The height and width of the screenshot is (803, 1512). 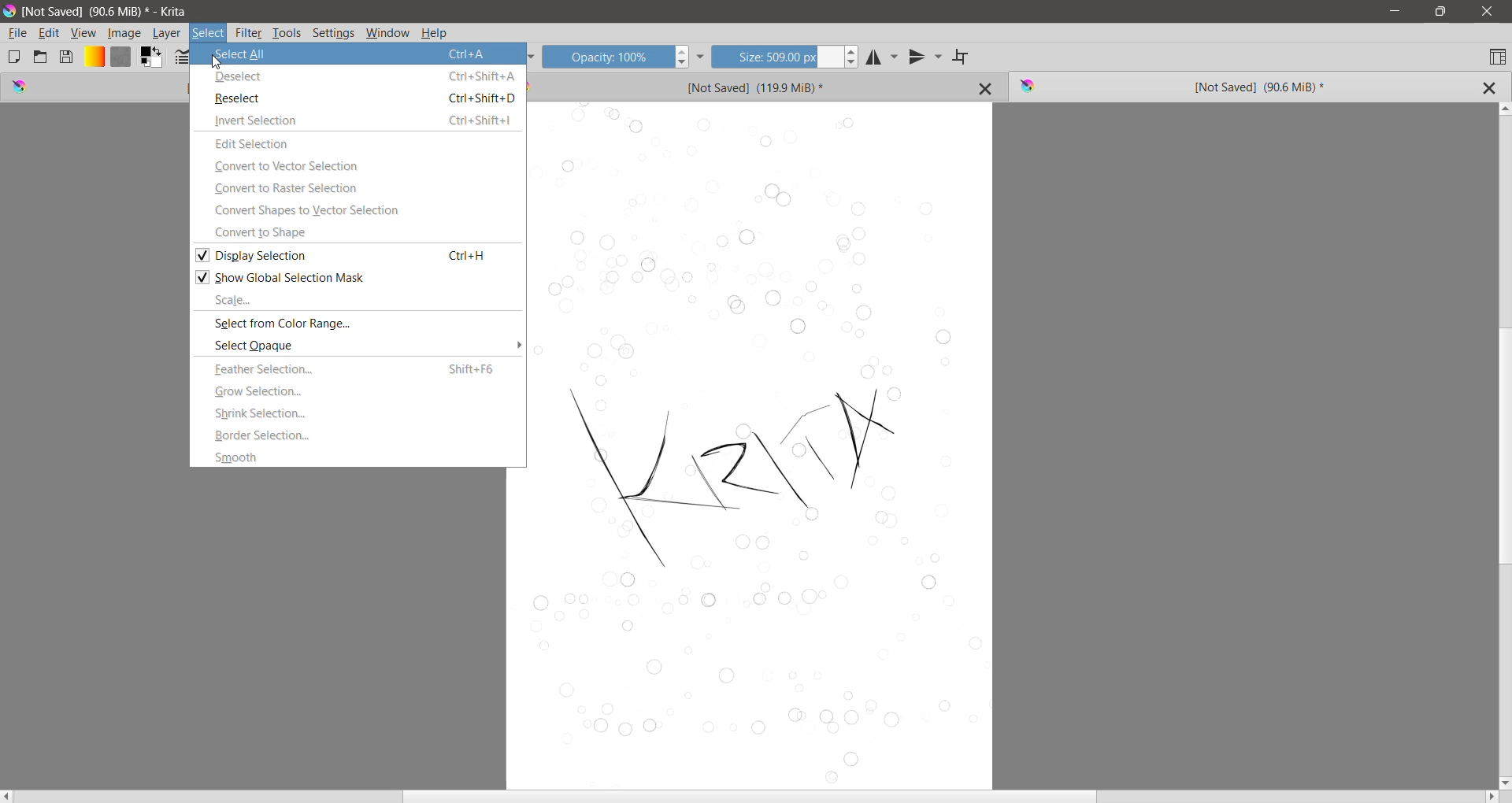 I want to click on Grow Selection, so click(x=360, y=391).